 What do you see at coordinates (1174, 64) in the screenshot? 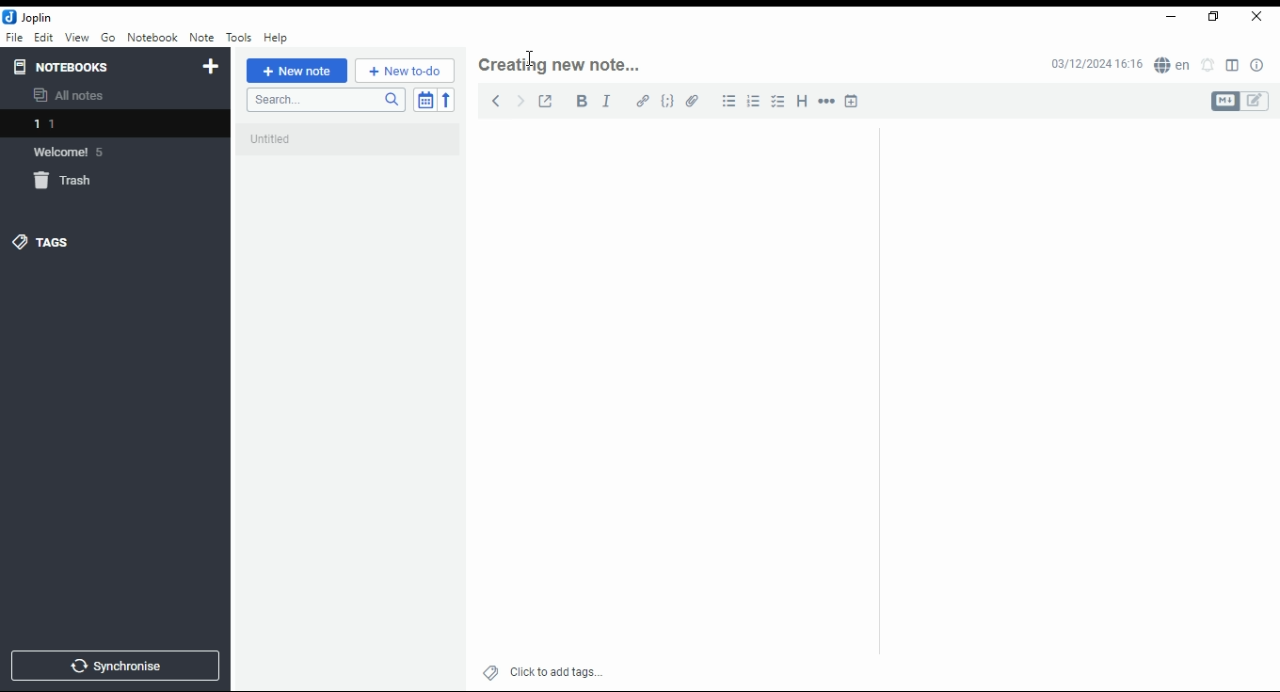
I see `spell checker` at bounding box center [1174, 64].